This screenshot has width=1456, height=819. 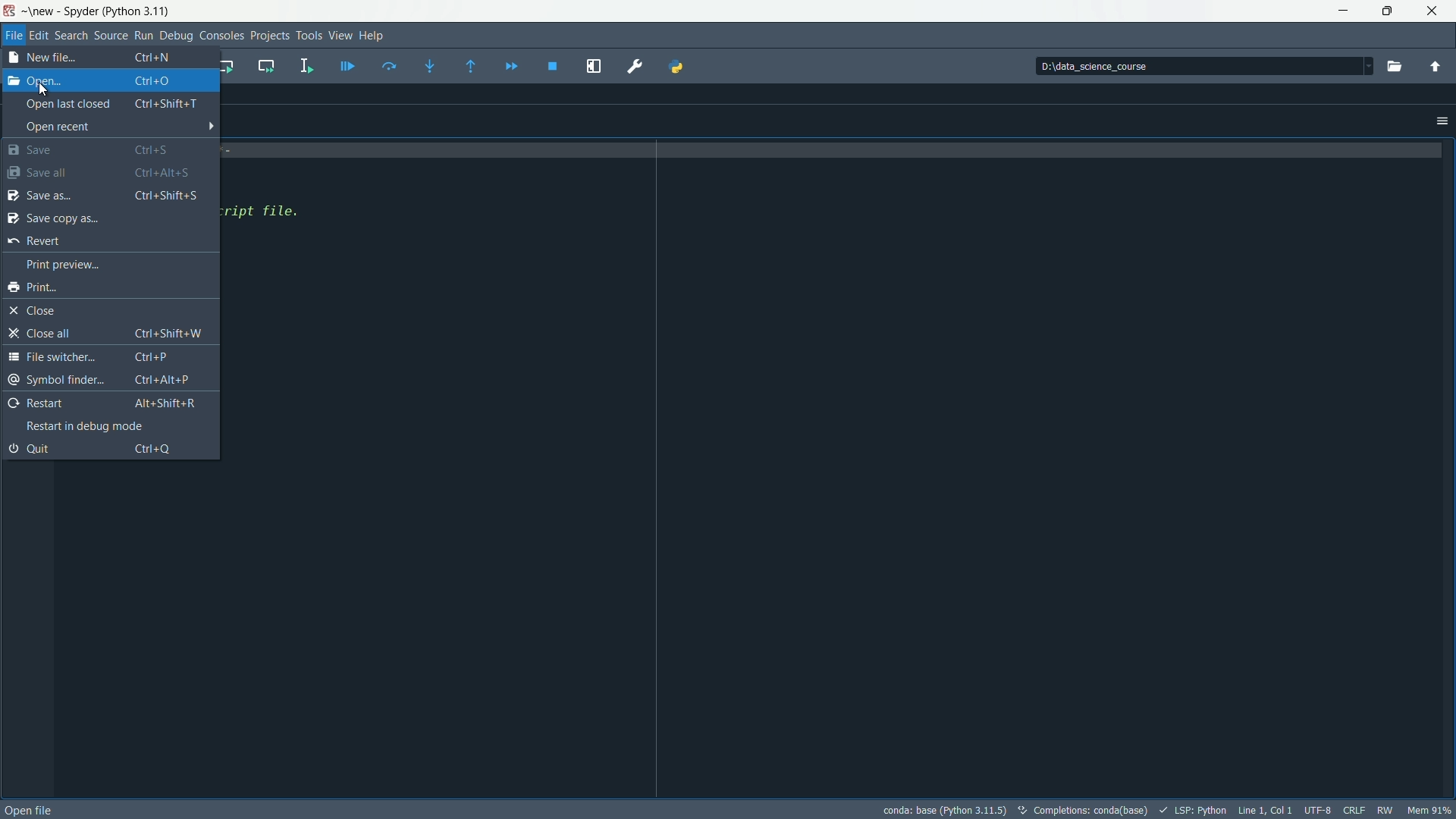 What do you see at coordinates (67, 265) in the screenshot?
I see `print review` at bounding box center [67, 265].